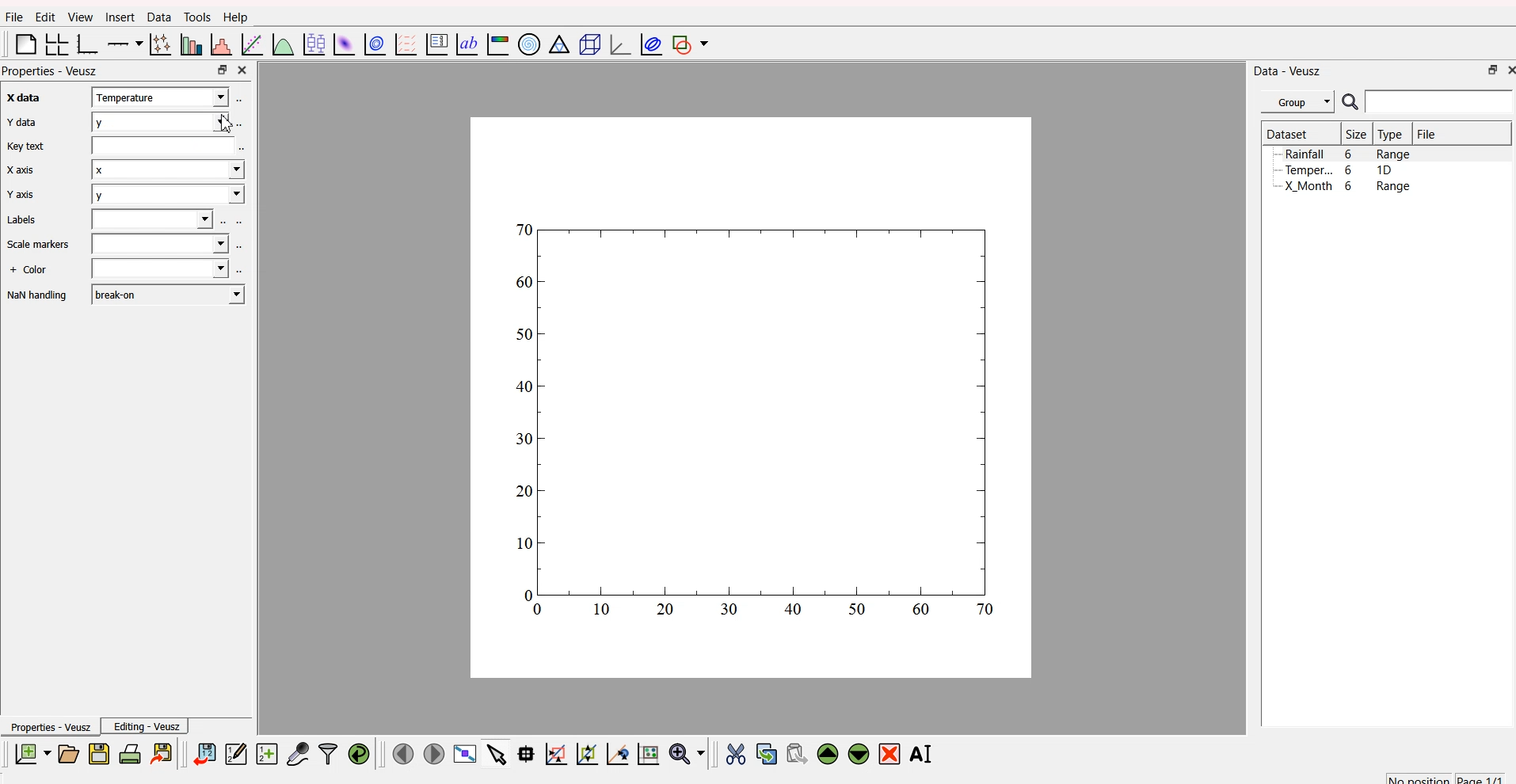 This screenshot has height=784, width=1516. What do you see at coordinates (766, 752) in the screenshot?
I see `copy the widget` at bounding box center [766, 752].